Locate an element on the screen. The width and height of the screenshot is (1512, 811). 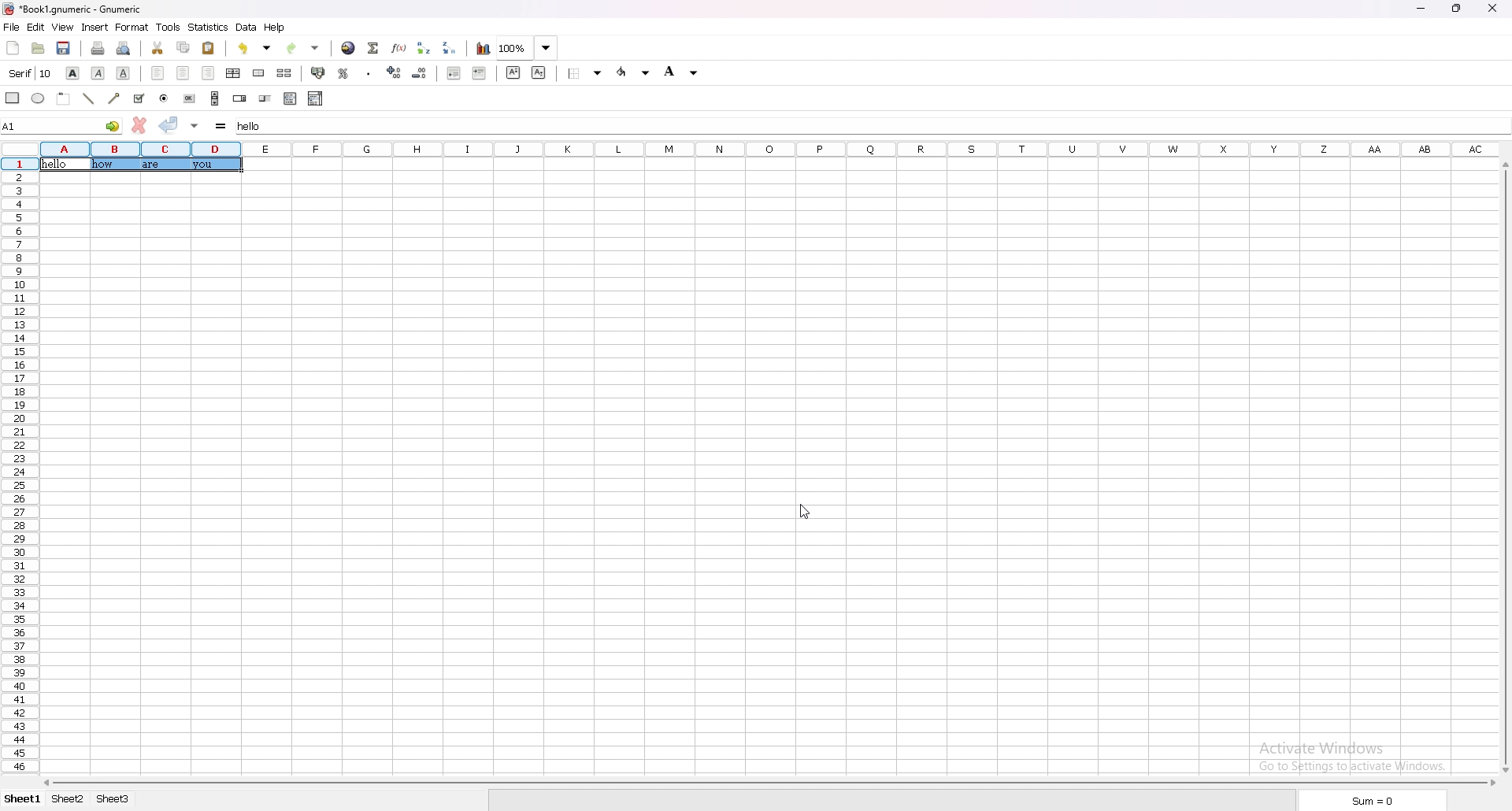
summation is located at coordinates (373, 46).